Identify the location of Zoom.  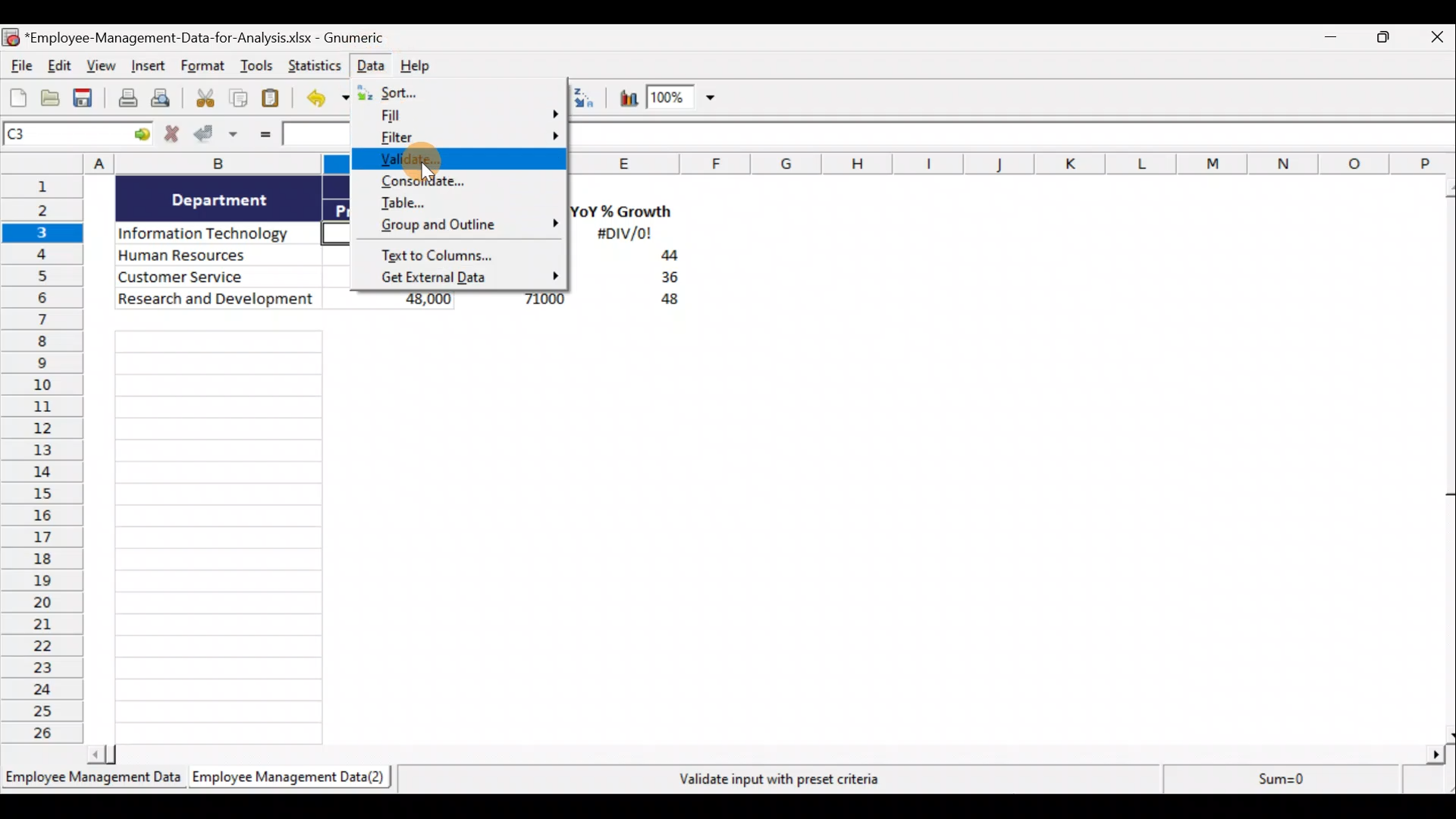
(685, 101).